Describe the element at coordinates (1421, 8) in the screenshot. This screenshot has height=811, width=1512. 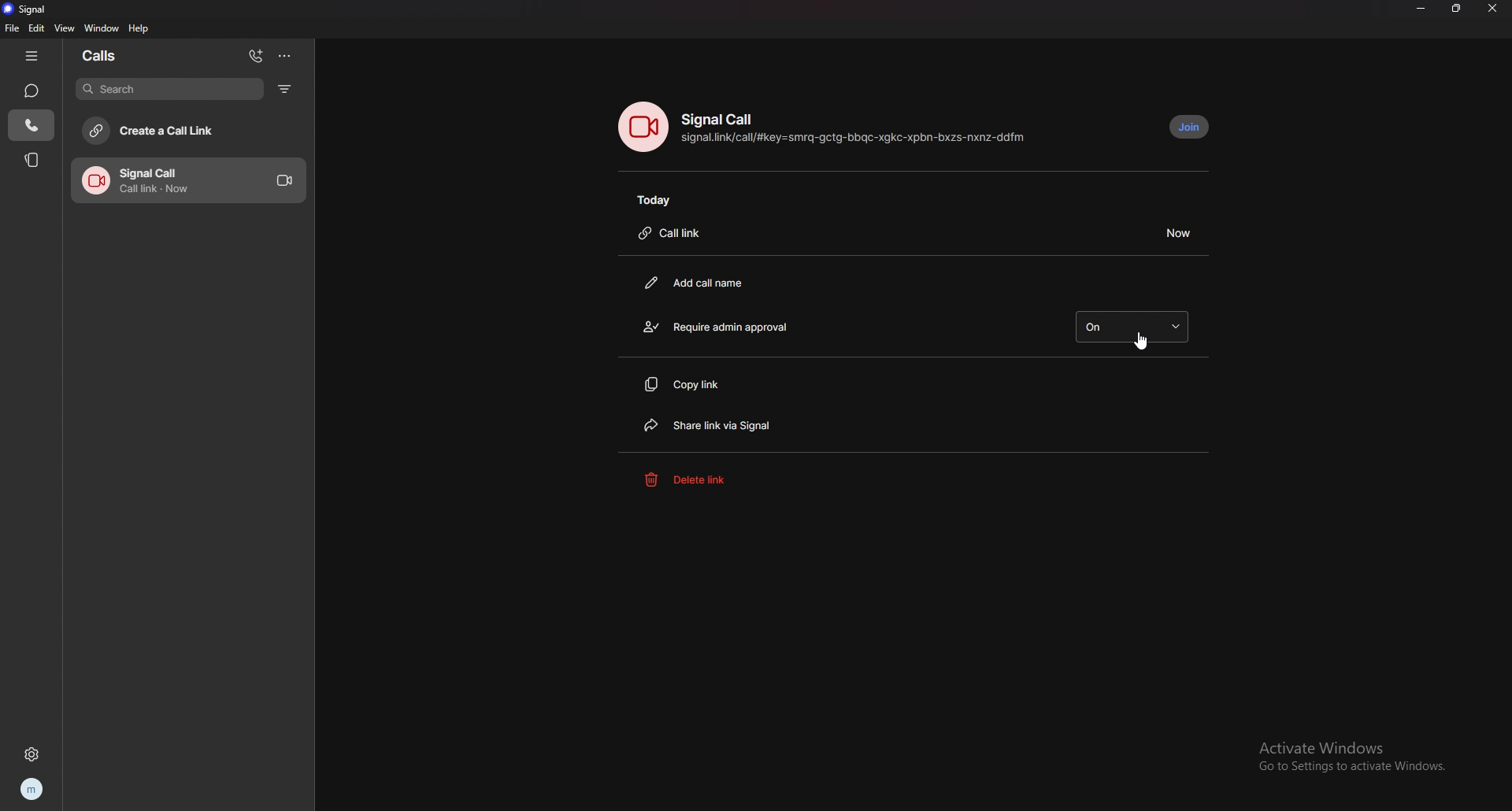
I see `minimize` at that location.